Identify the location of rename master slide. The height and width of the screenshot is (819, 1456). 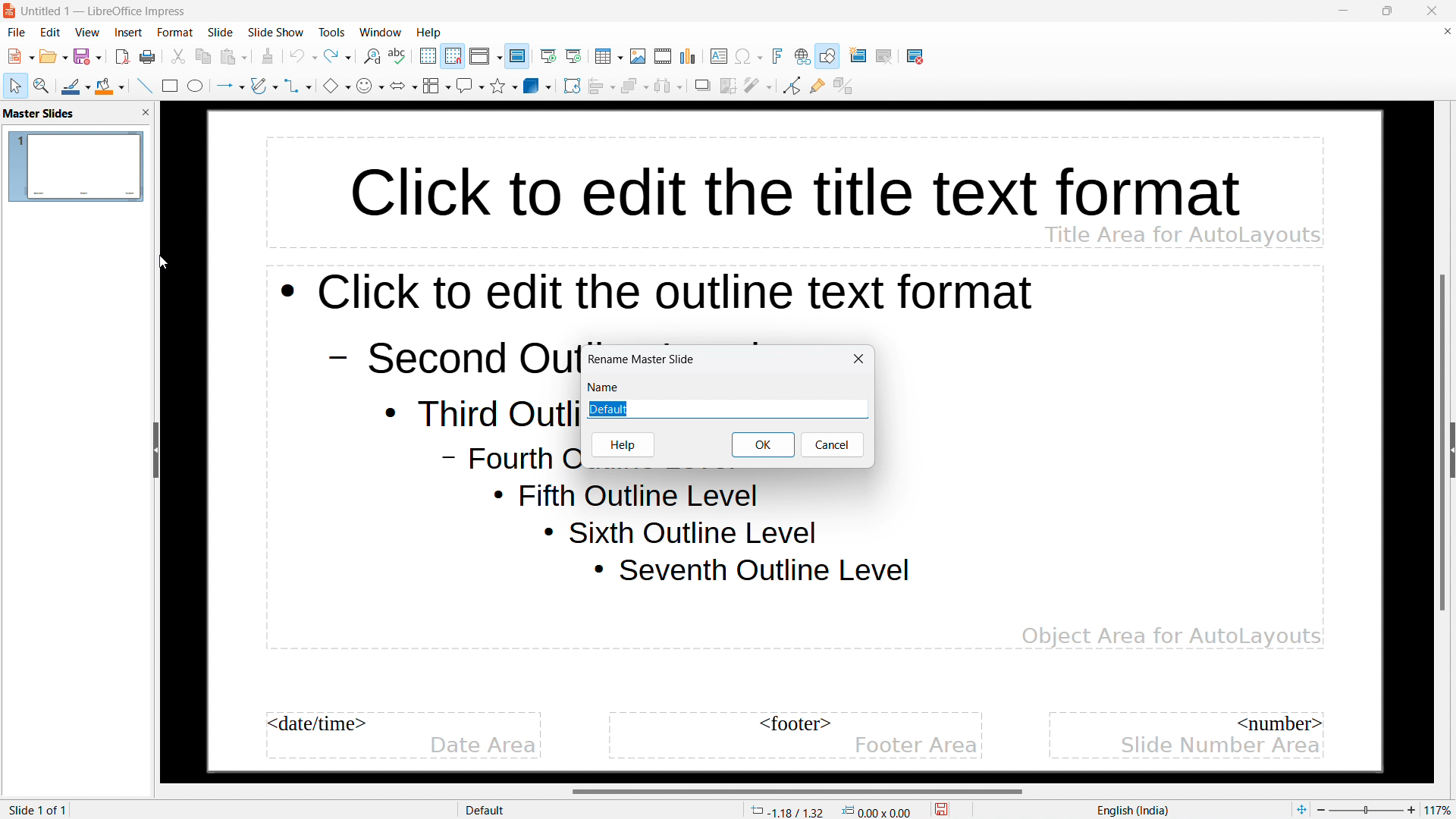
(642, 359).